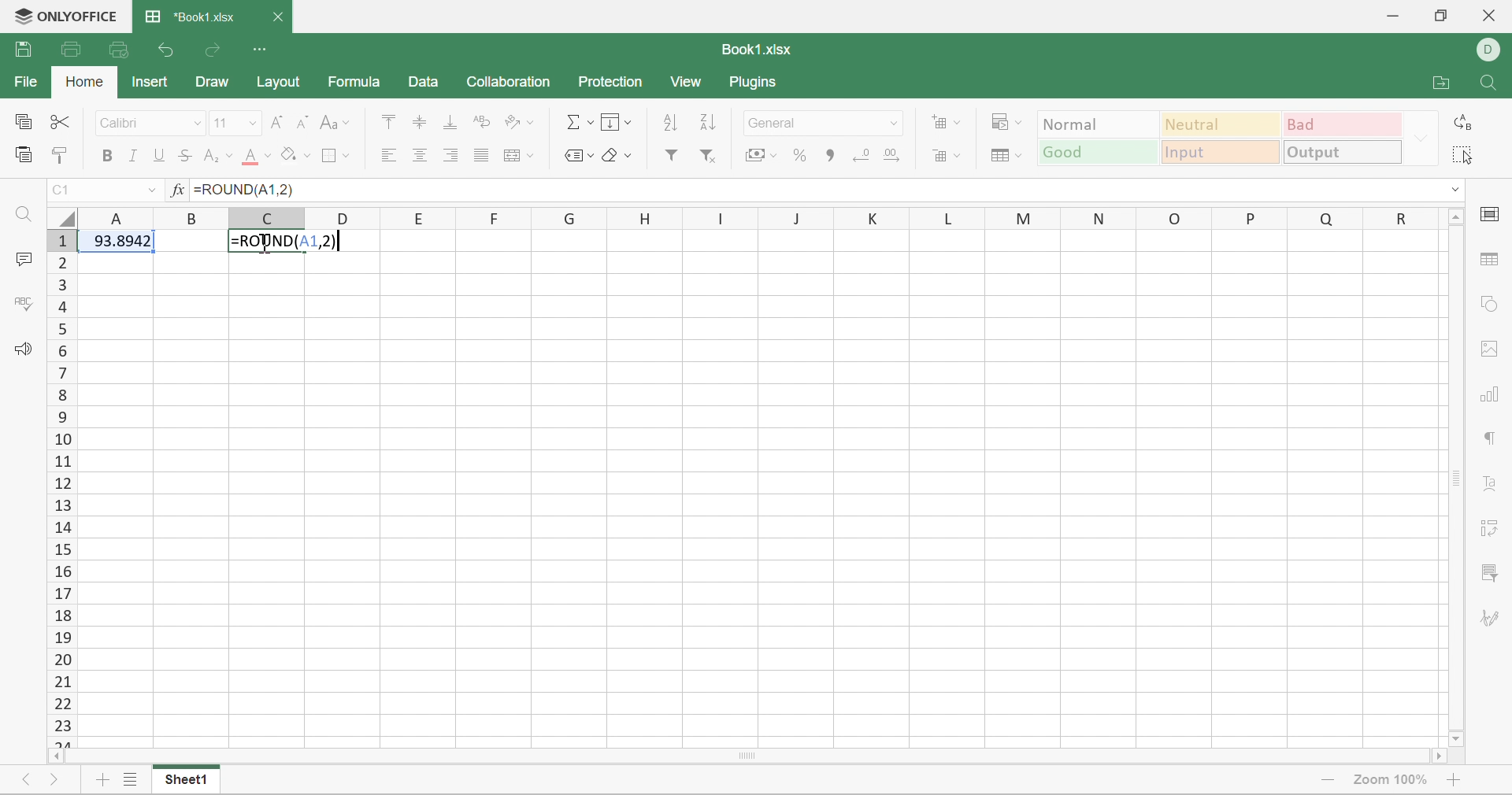 The image size is (1512, 795). Describe the element at coordinates (335, 153) in the screenshot. I see `Borders` at that location.